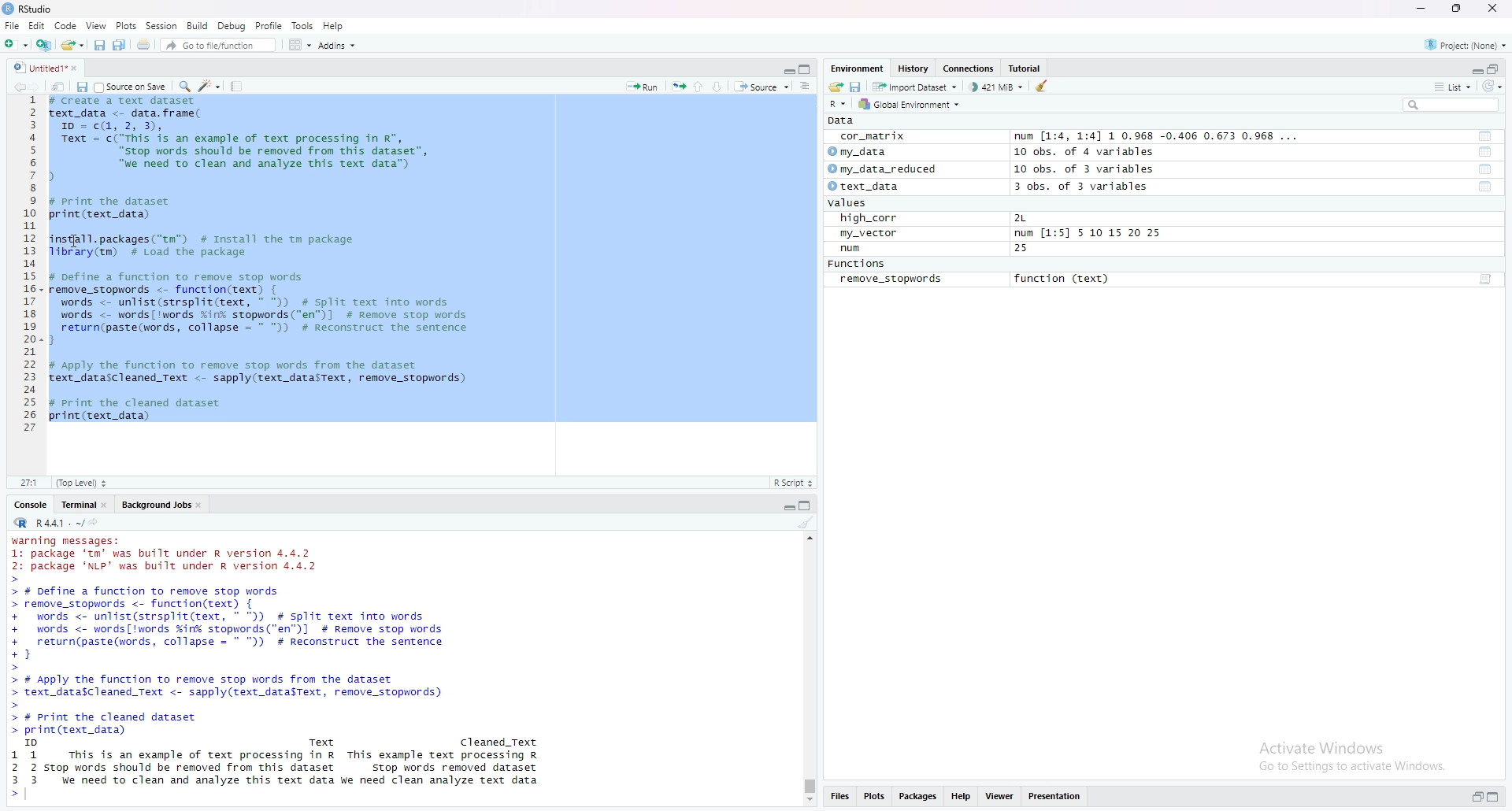 The height and width of the screenshot is (811, 1512). Describe the element at coordinates (875, 797) in the screenshot. I see `plots` at that location.